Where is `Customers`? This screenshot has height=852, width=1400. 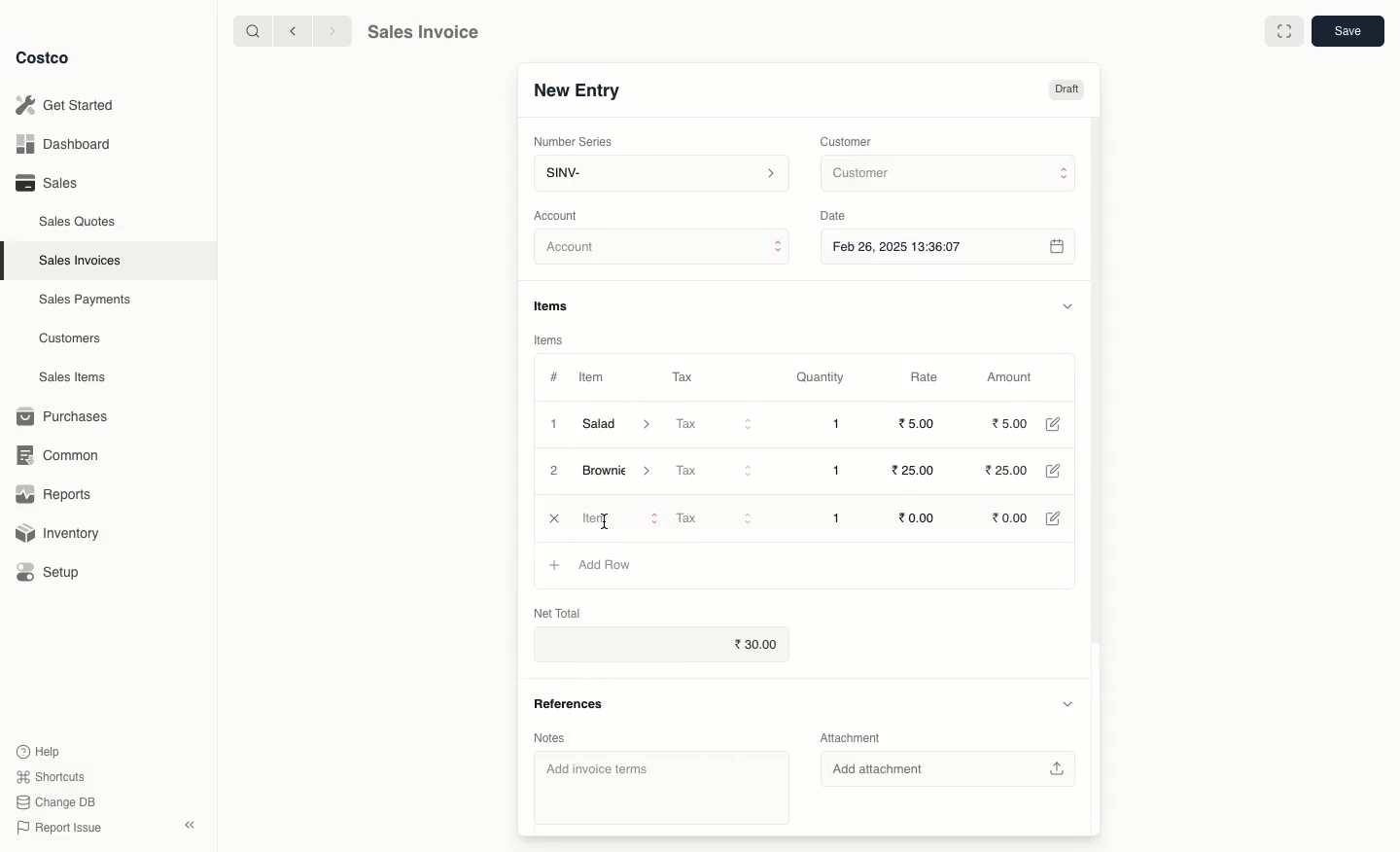 Customers is located at coordinates (70, 337).